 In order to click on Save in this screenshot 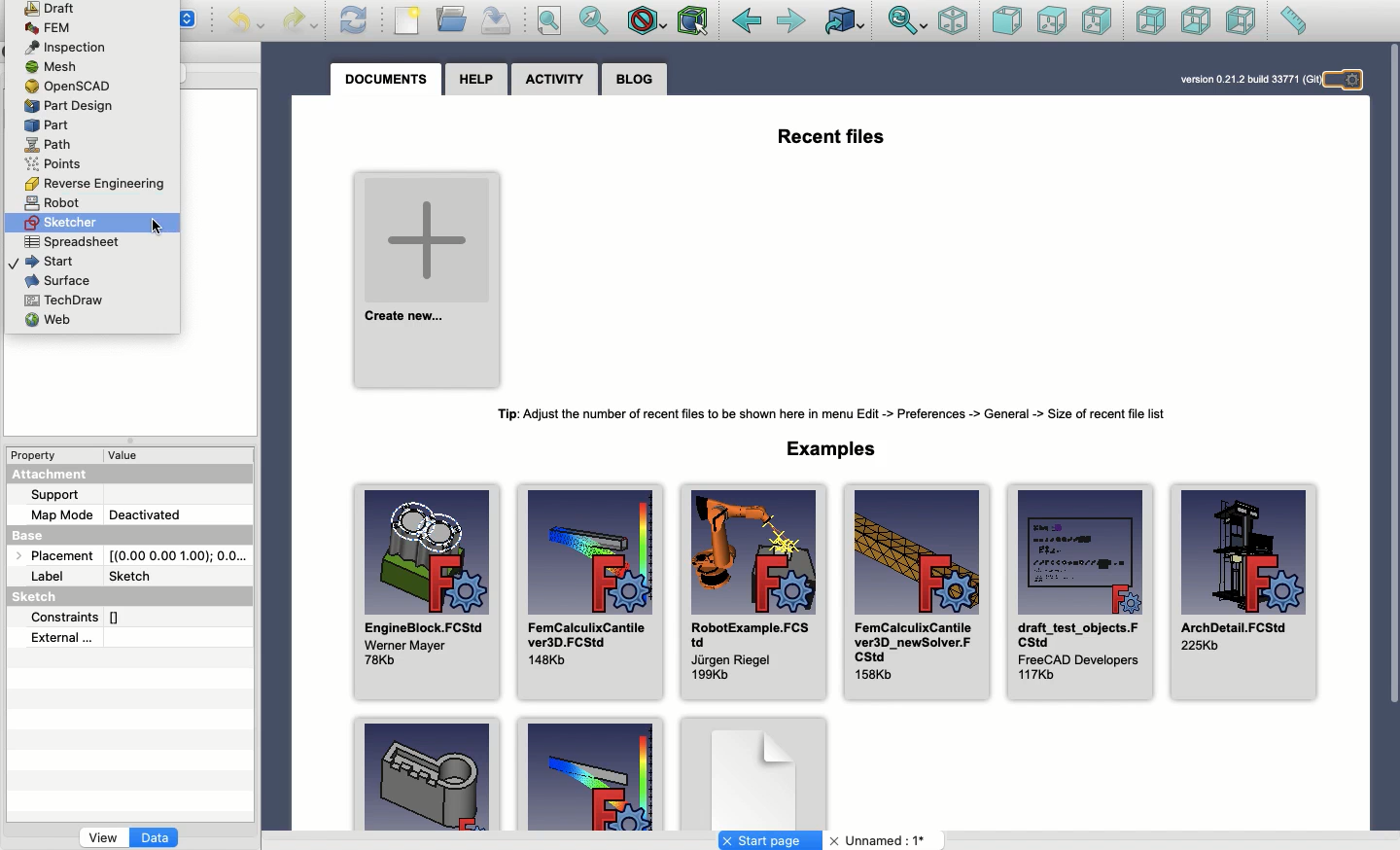, I will do `click(497, 21)`.